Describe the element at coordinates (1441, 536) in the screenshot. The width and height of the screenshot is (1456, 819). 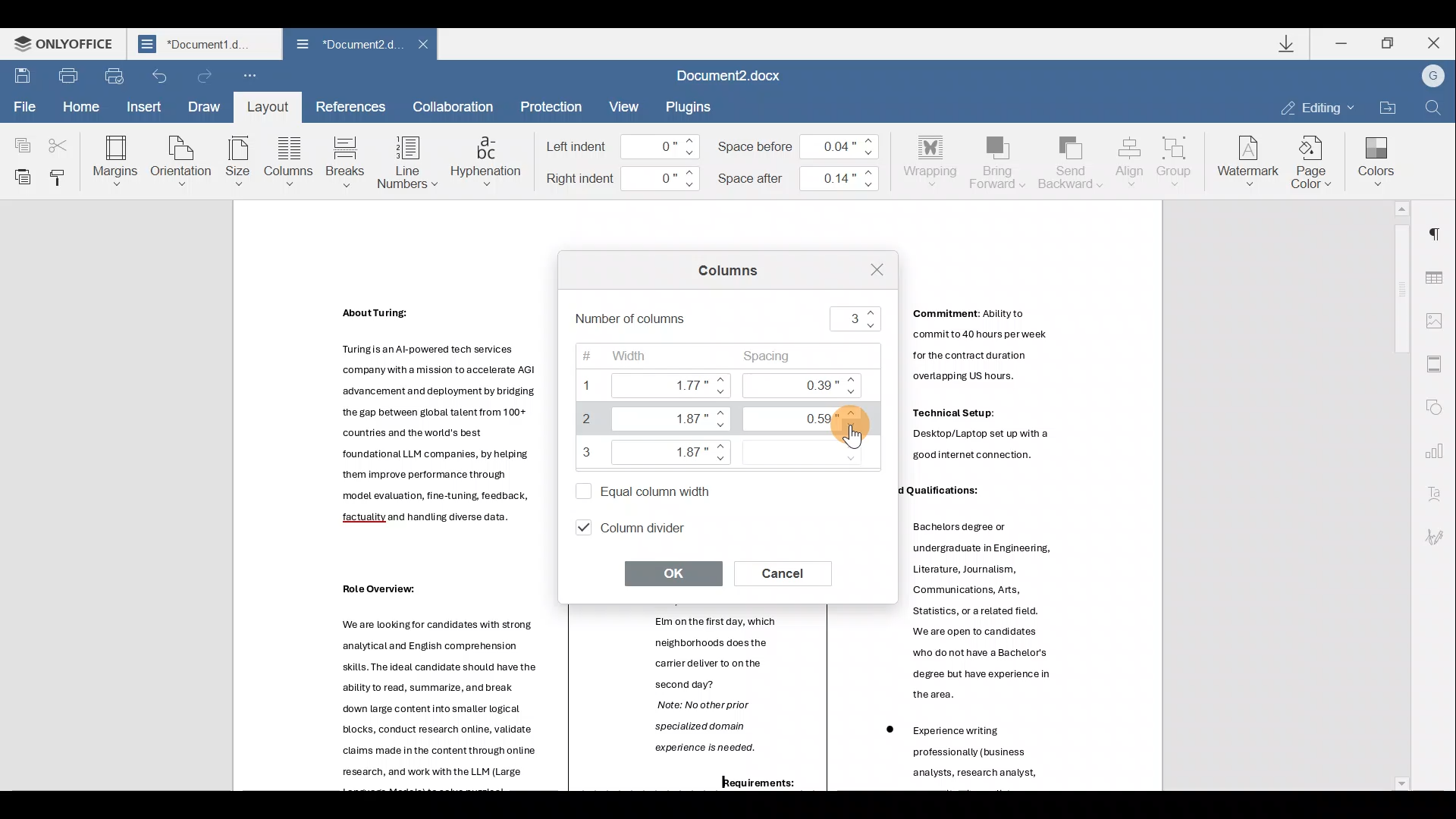
I see `Signature settings` at that location.